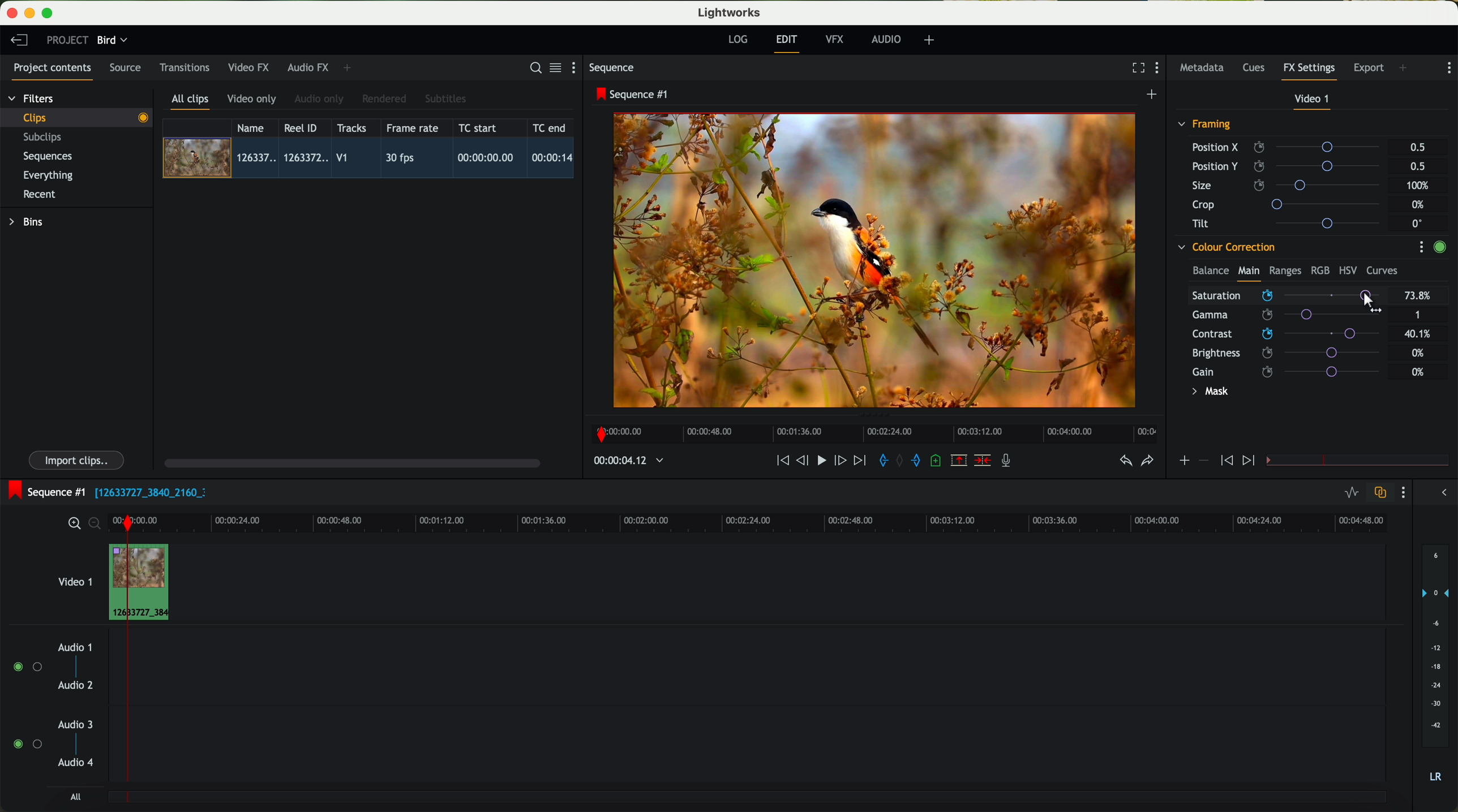  What do you see at coordinates (251, 67) in the screenshot?
I see `video FX` at bounding box center [251, 67].